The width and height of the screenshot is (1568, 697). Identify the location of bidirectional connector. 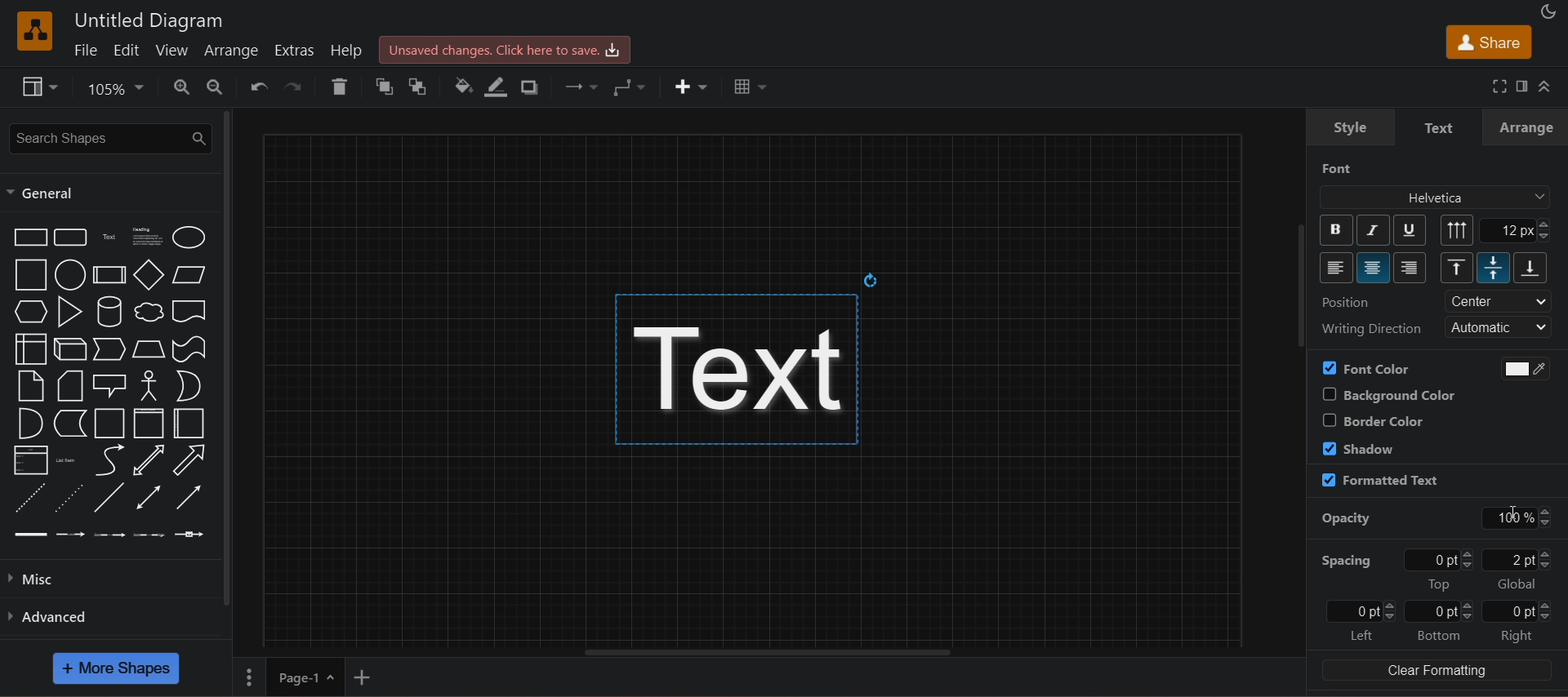
(149, 497).